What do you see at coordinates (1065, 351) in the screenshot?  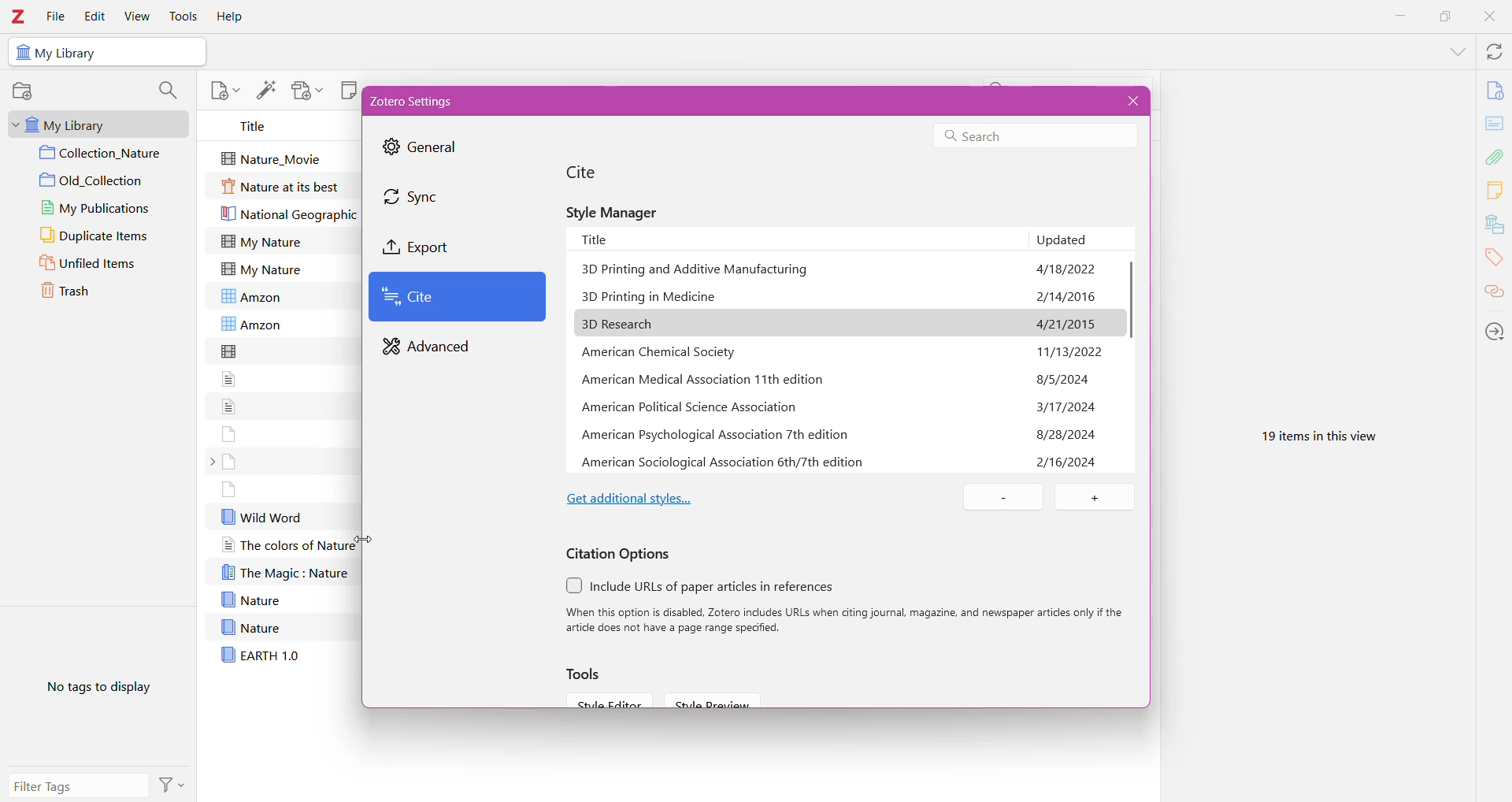 I see `8/5/2024` at bounding box center [1065, 351].